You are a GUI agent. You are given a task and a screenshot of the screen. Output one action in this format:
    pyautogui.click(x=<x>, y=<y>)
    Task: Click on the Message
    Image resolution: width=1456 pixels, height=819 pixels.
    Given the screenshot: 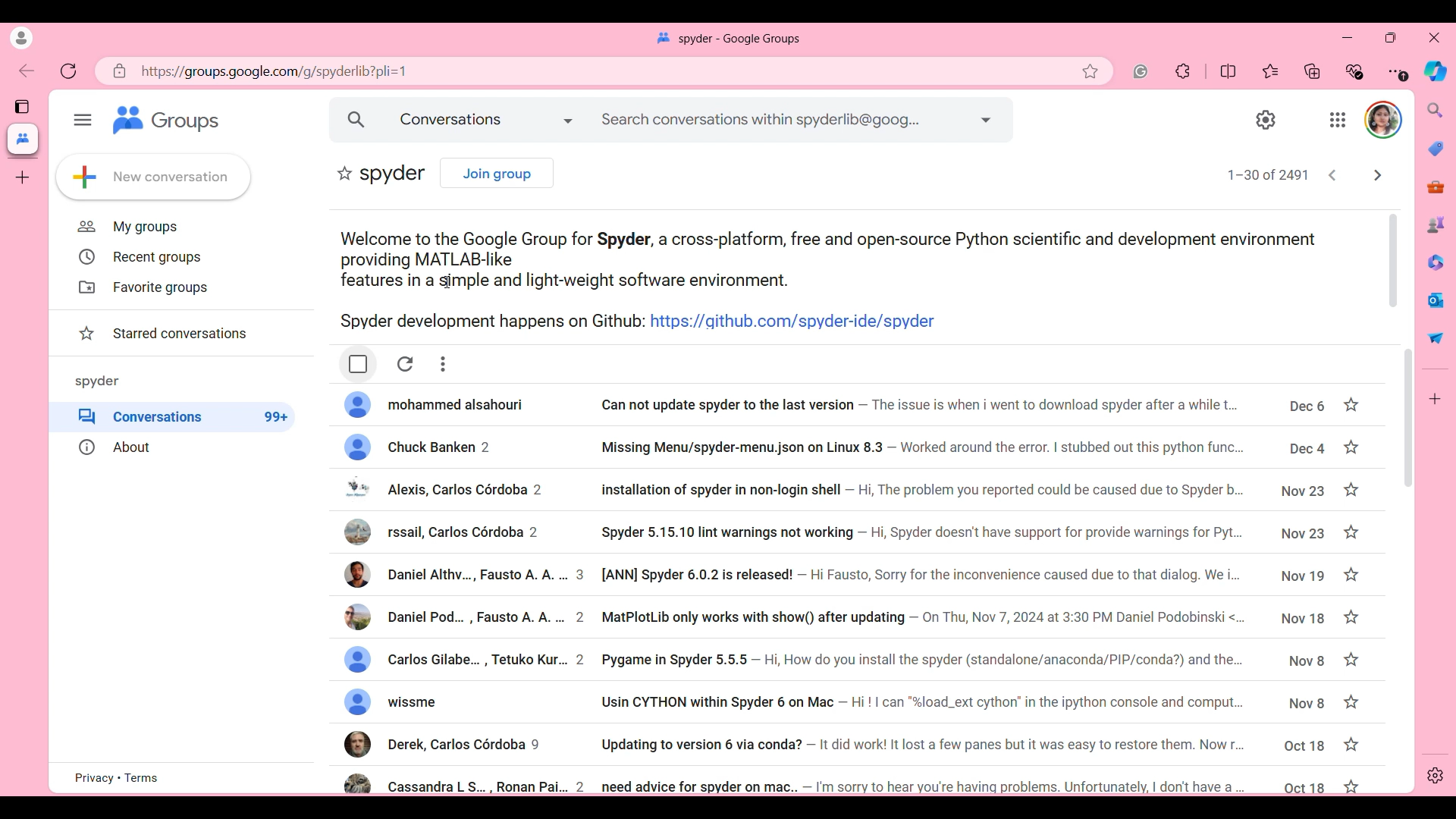 What is the action you would take?
    pyautogui.click(x=1436, y=300)
    